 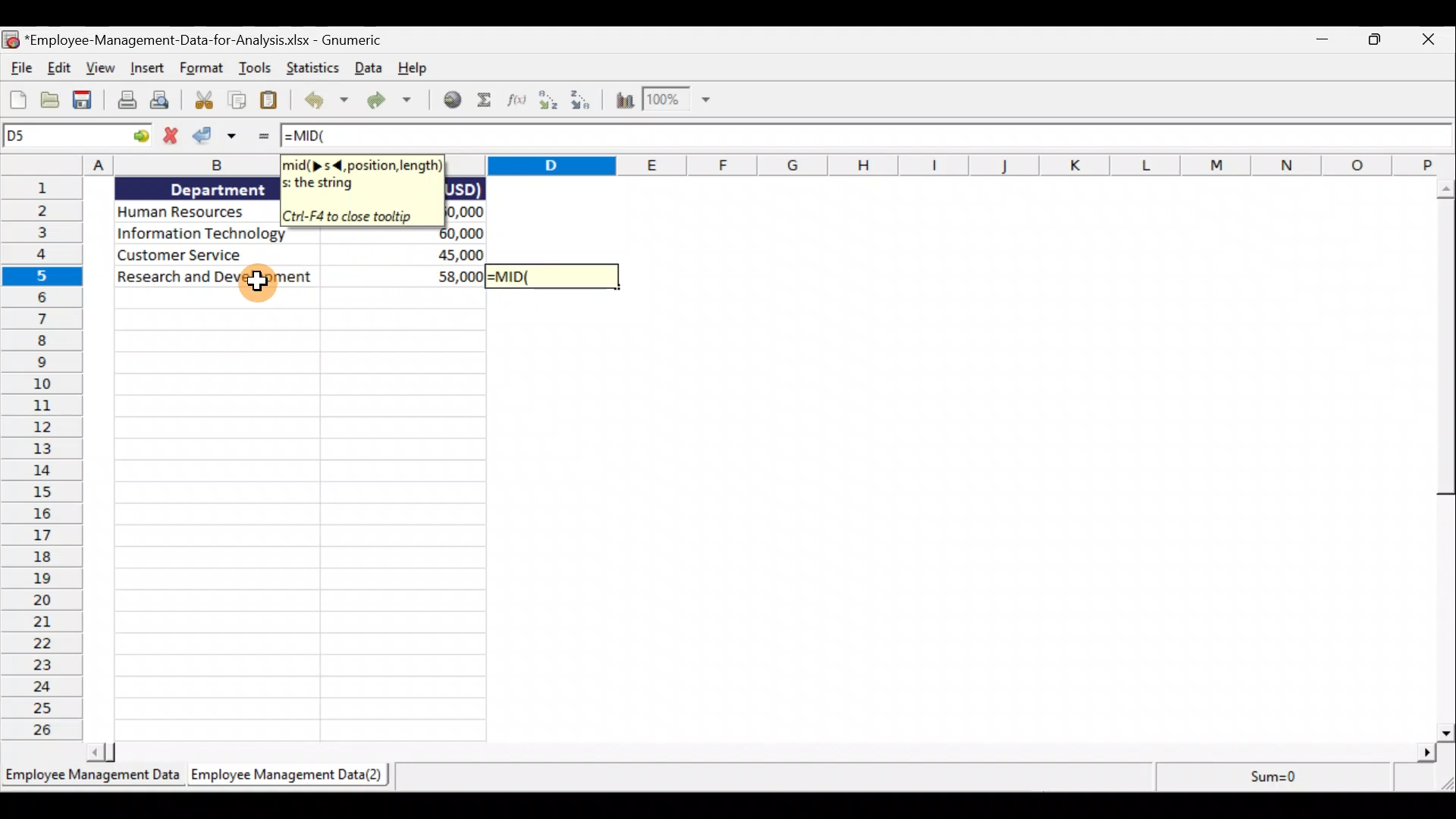 I want to click on Data, so click(x=367, y=69).